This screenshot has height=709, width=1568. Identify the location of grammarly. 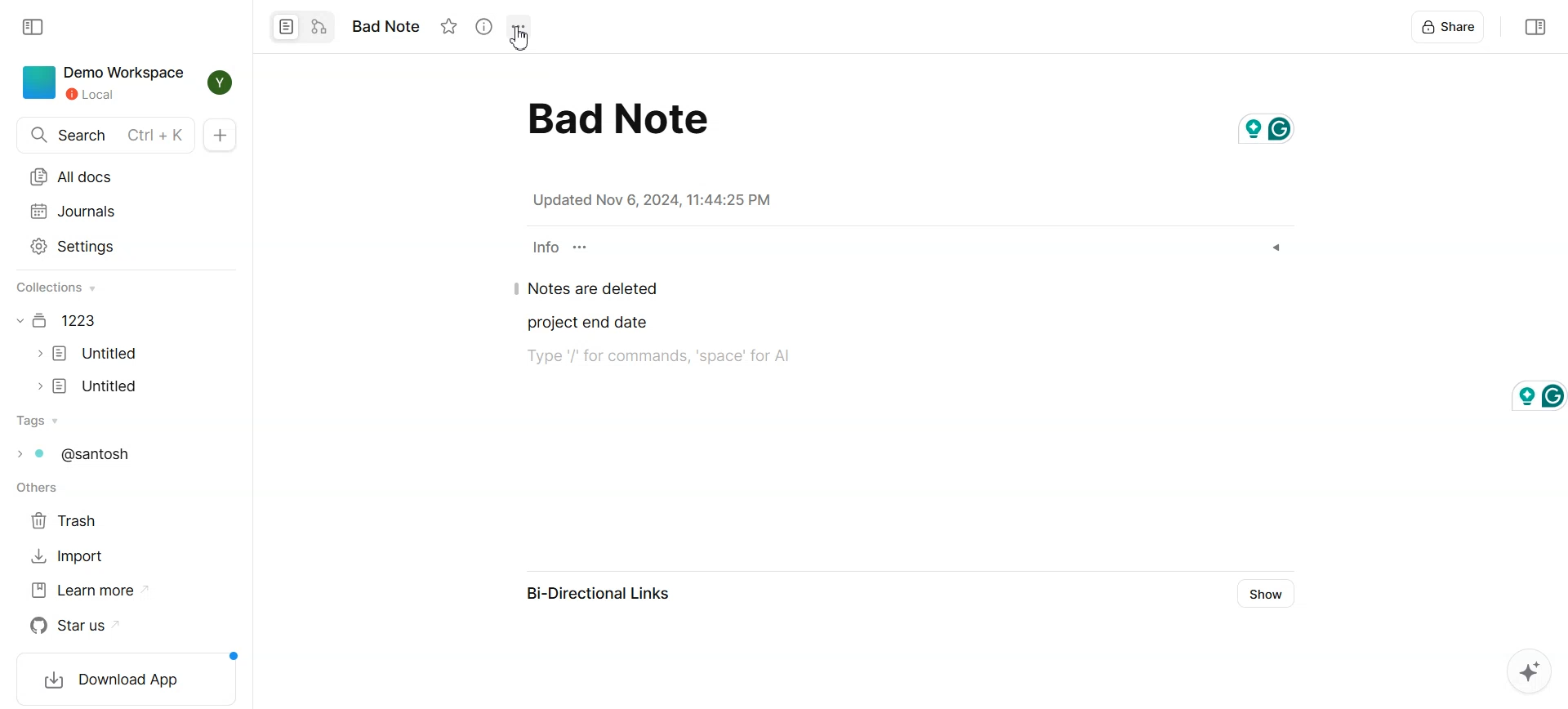
(1535, 393).